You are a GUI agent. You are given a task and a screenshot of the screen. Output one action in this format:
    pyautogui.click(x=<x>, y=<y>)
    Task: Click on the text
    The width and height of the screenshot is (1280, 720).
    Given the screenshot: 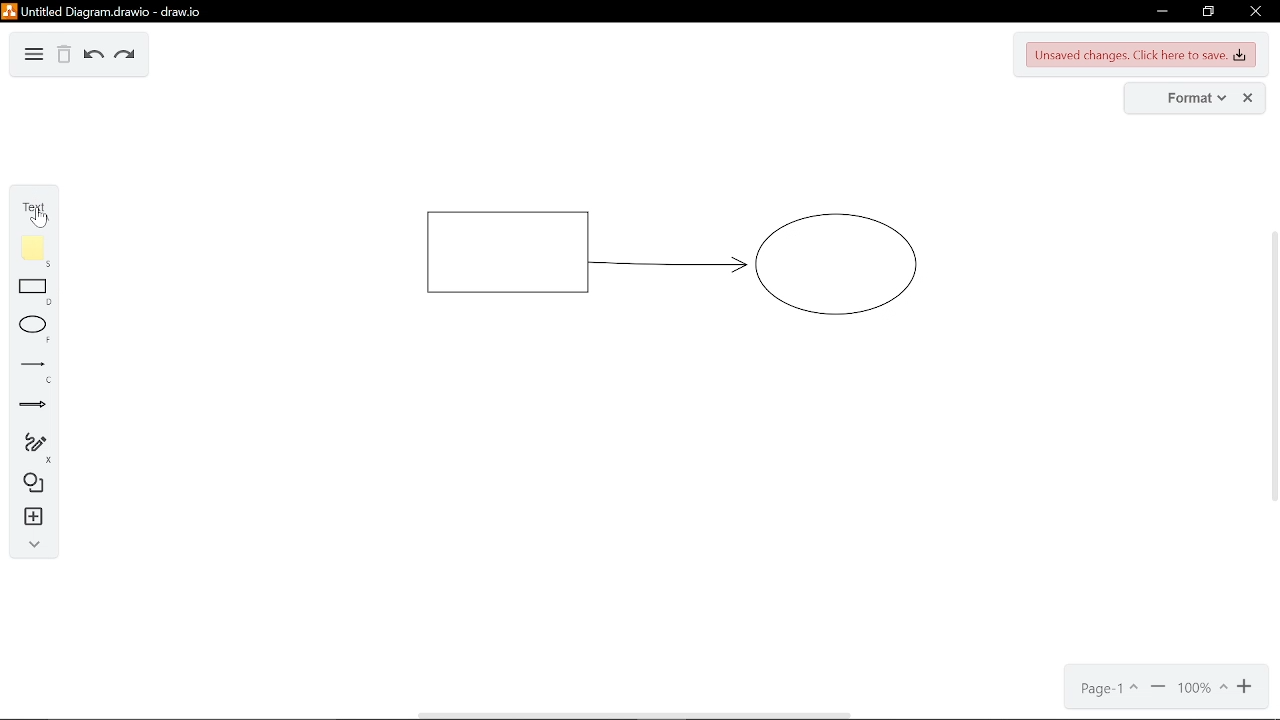 What is the action you would take?
    pyautogui.click(x=34, y=213)
    